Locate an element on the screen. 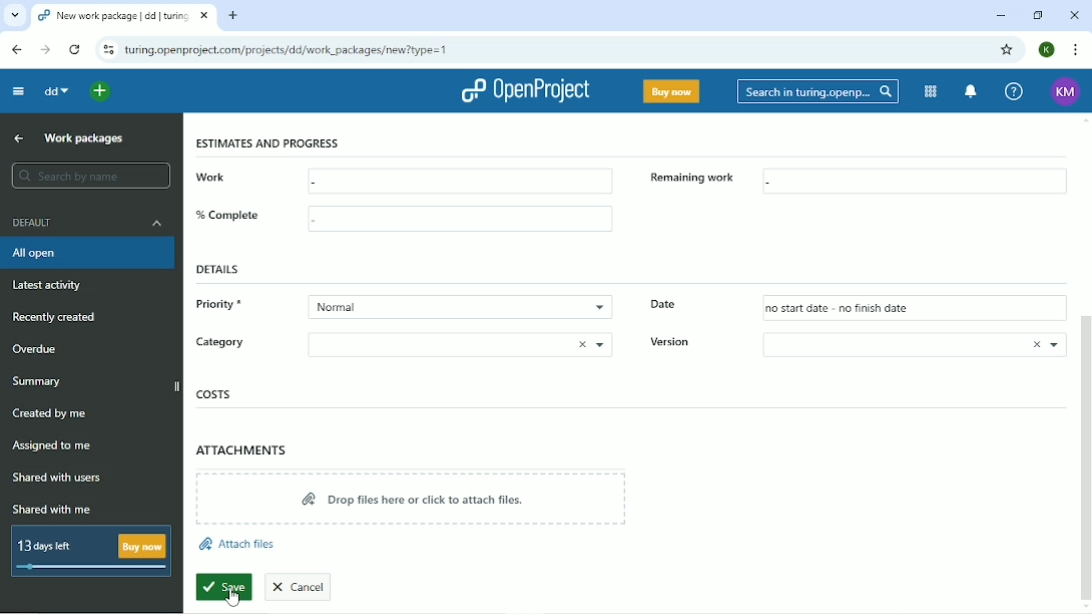 This screenshot has width=1092, height=614. Reload this page is located at coordinates (76, 50).